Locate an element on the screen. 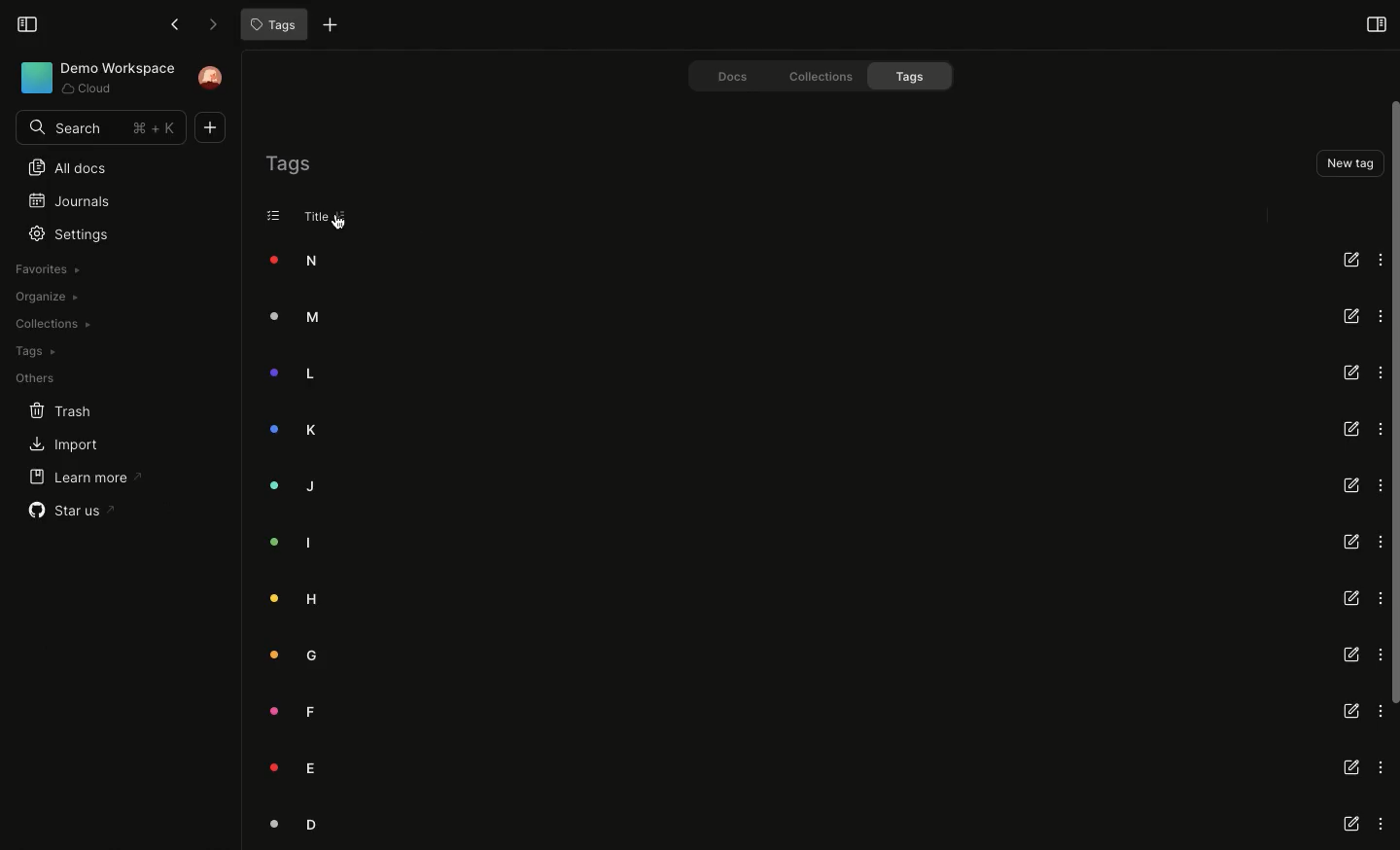 This screenshot has width=1400, height=850. Options is located at coordinates (1382, 825).